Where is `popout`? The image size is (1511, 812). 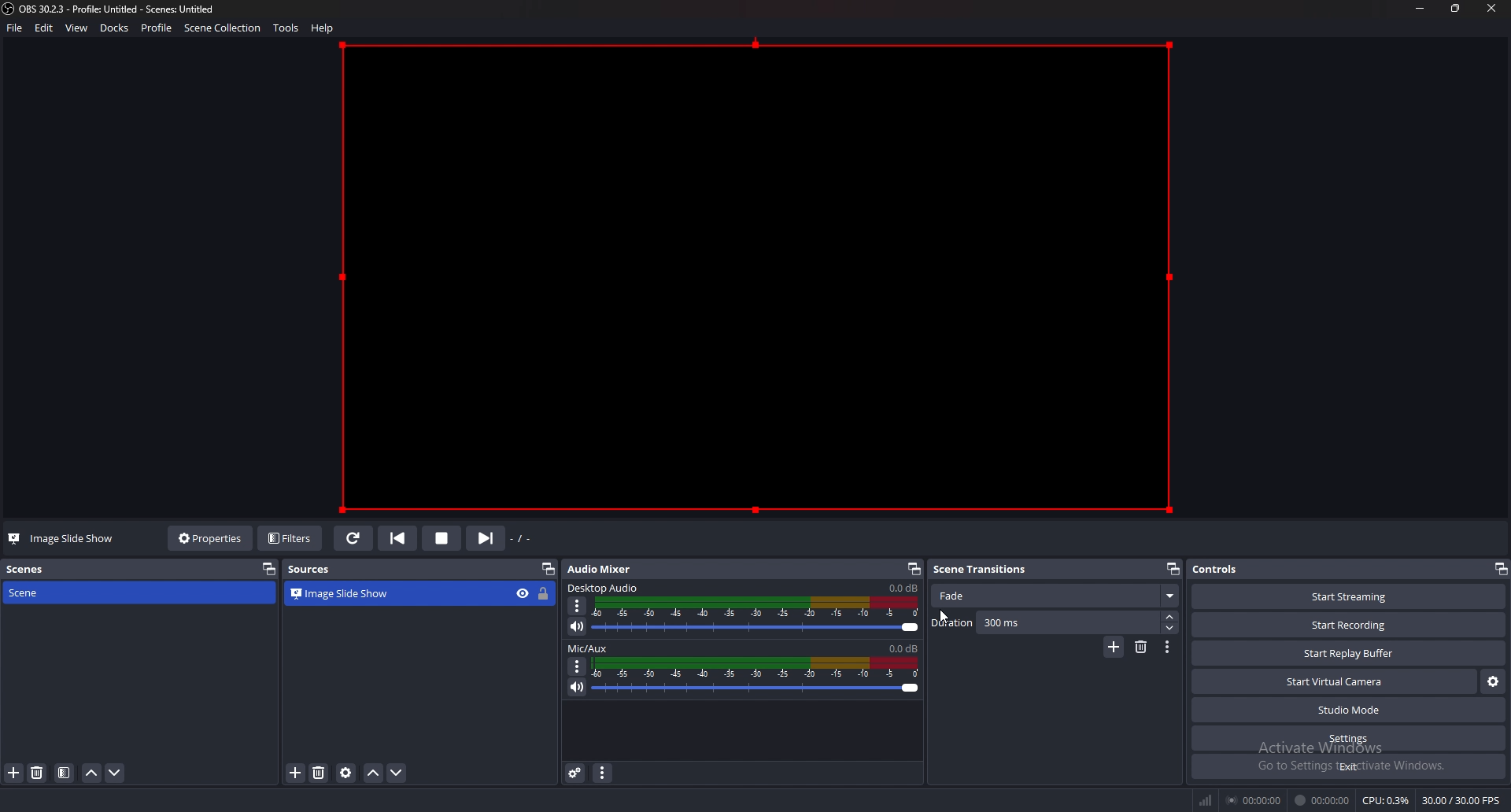
popout is located at coordinates (1171, 569).